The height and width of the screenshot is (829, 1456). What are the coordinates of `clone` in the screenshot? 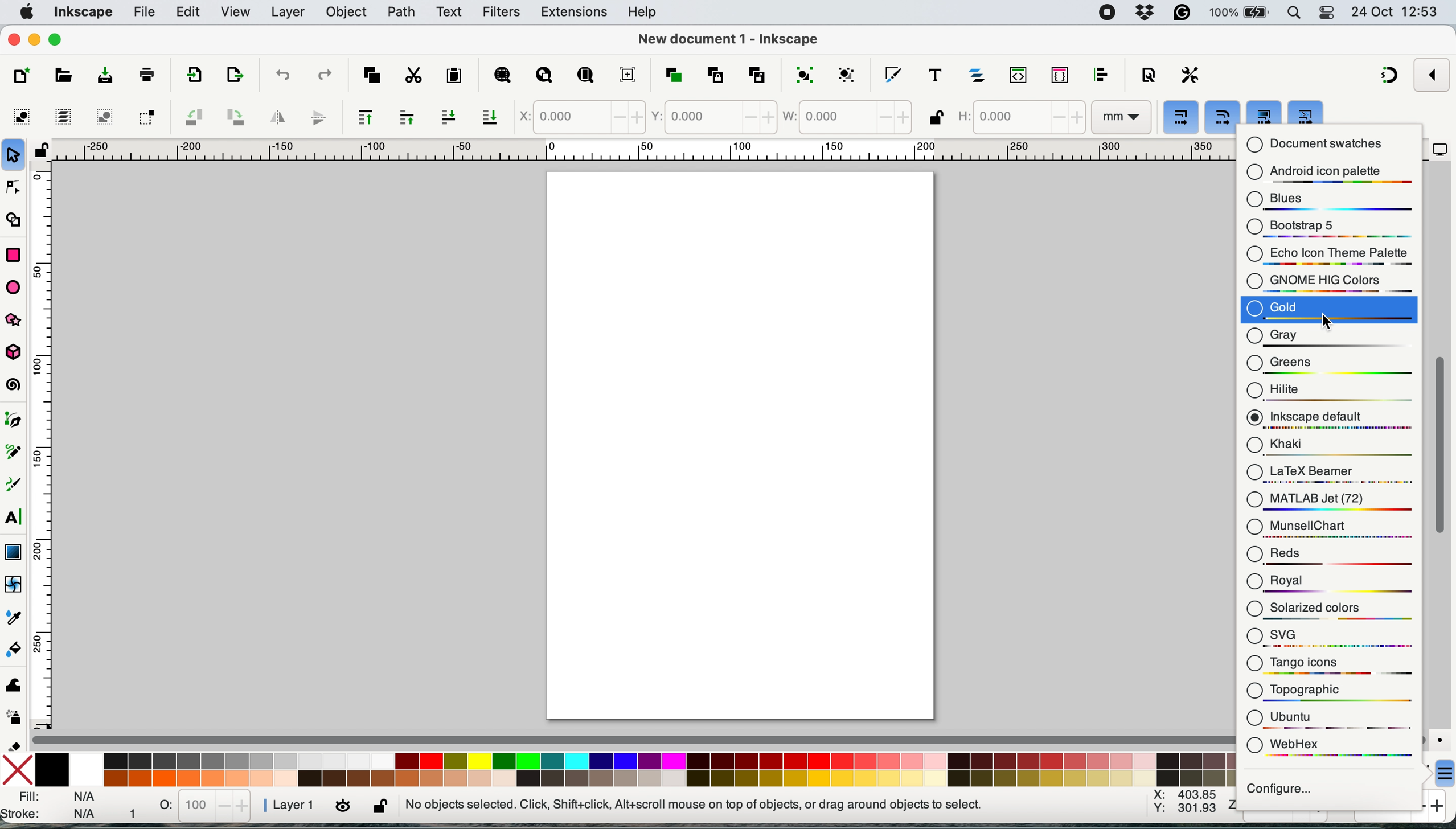 It's located at (713, 74).